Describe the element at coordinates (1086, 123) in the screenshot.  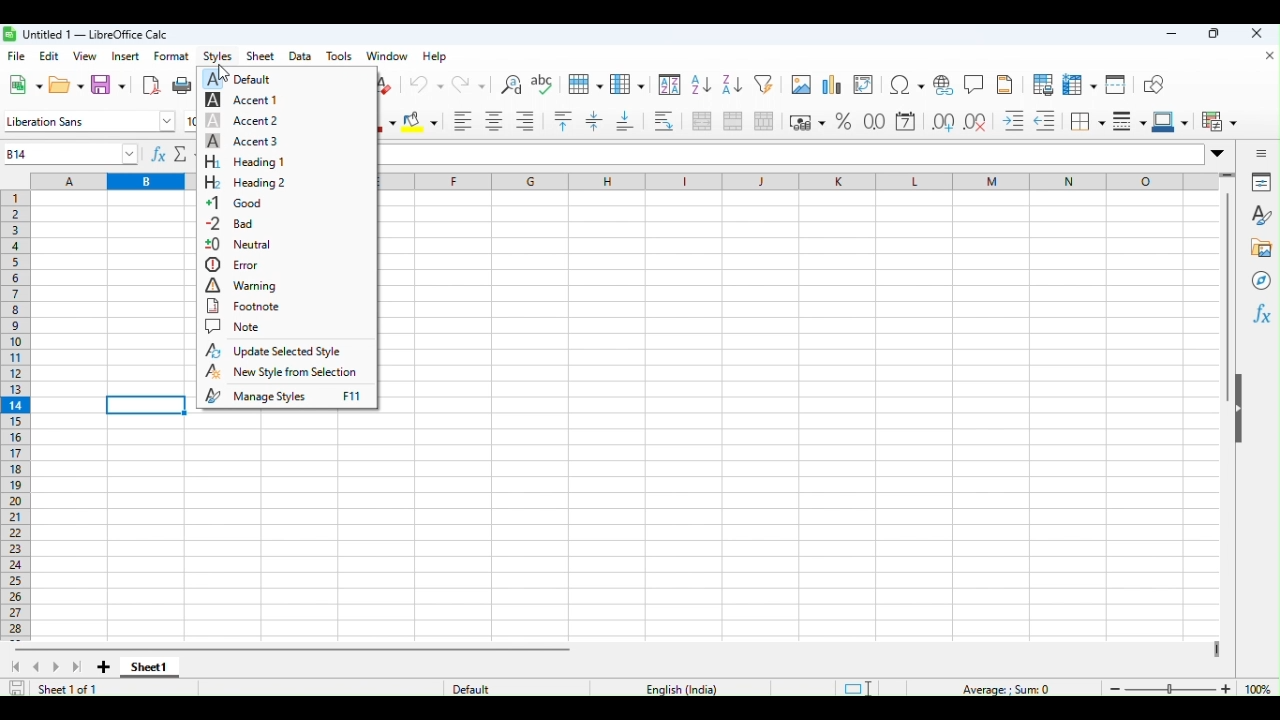
I see `Borders` at that location.